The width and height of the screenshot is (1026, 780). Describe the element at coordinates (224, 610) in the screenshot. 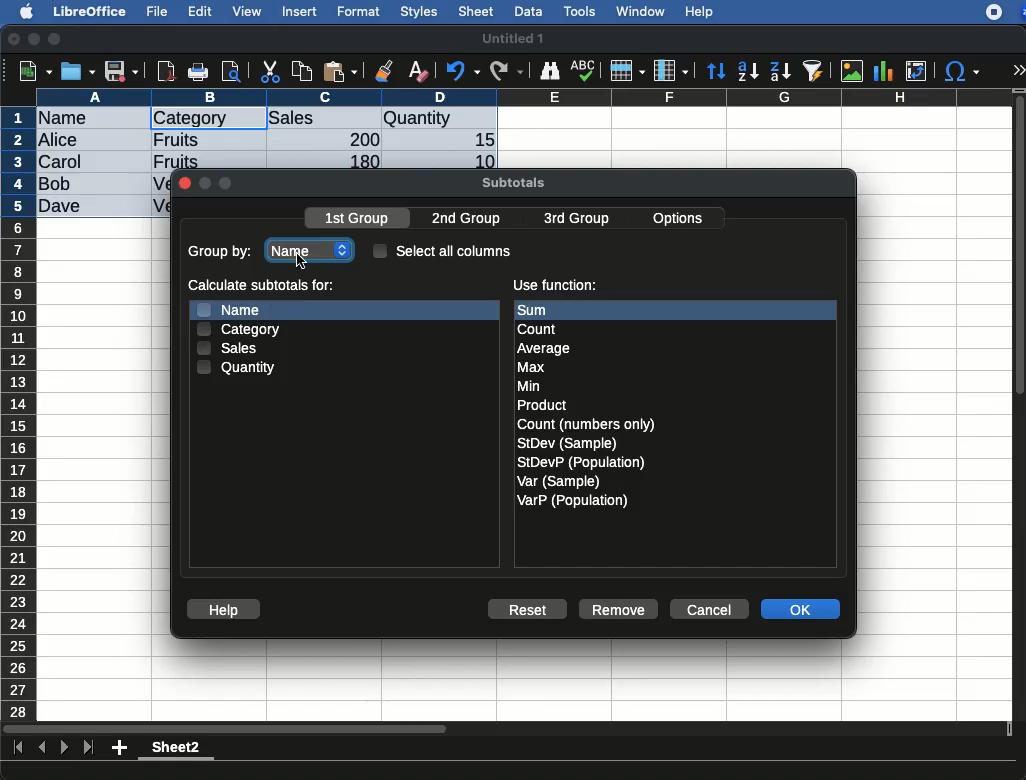

I see `help` at that location.